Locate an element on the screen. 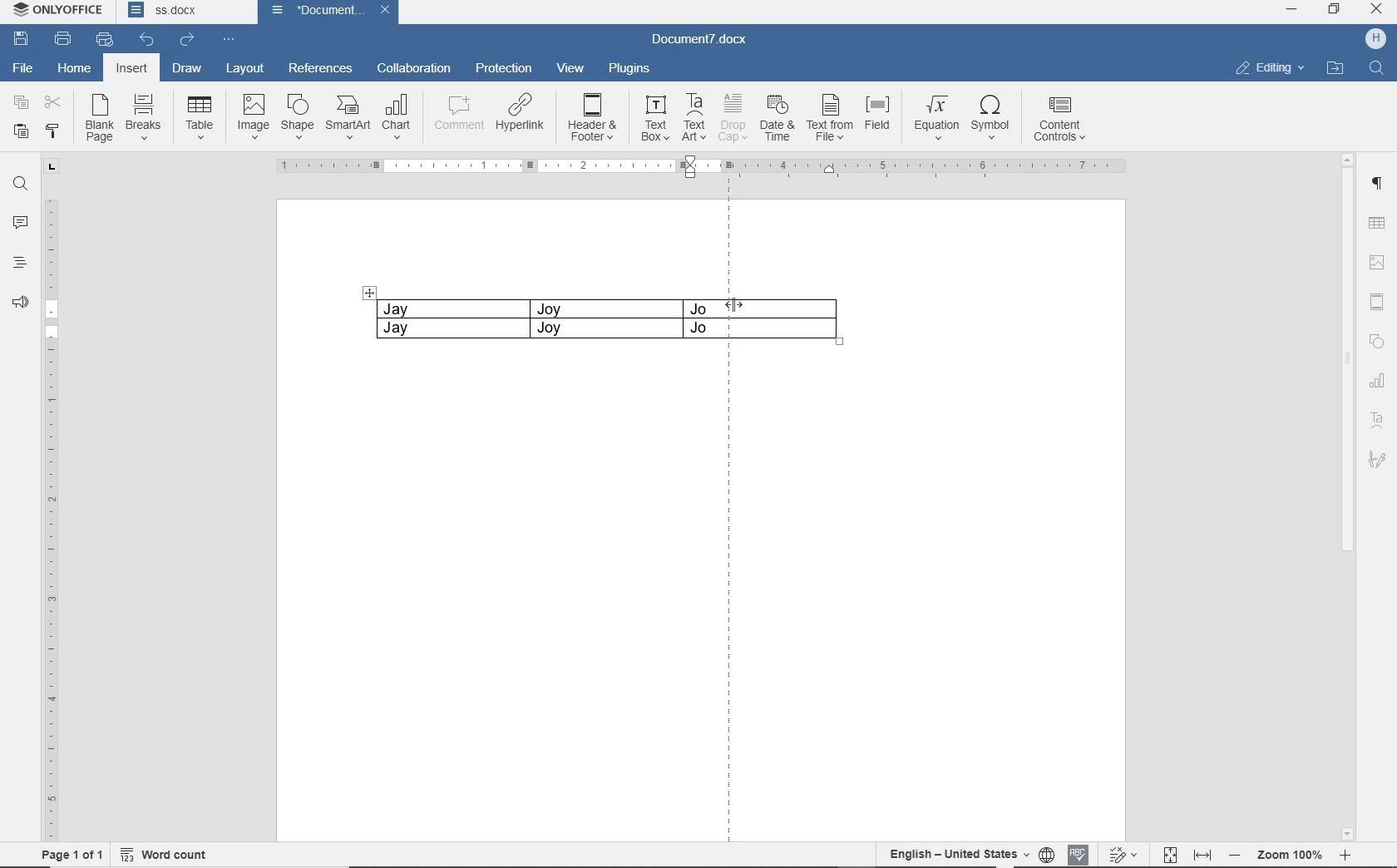  PAGE 1 OF 1 is located at coordinates (72, 854).